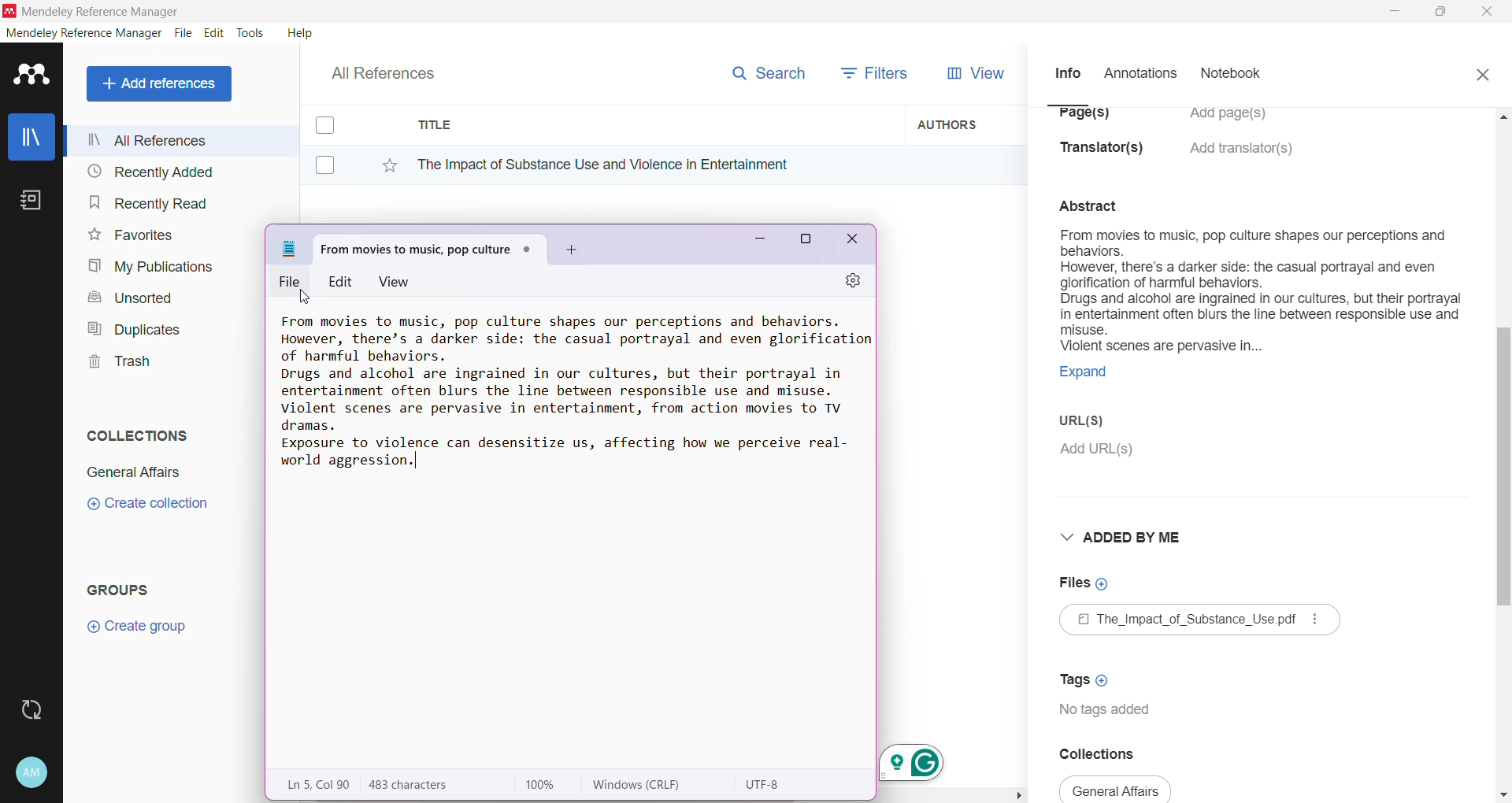  What do you see at coordinates (180, 140) in the screenshot?
I see `All References` at bounding box center [180, 140].